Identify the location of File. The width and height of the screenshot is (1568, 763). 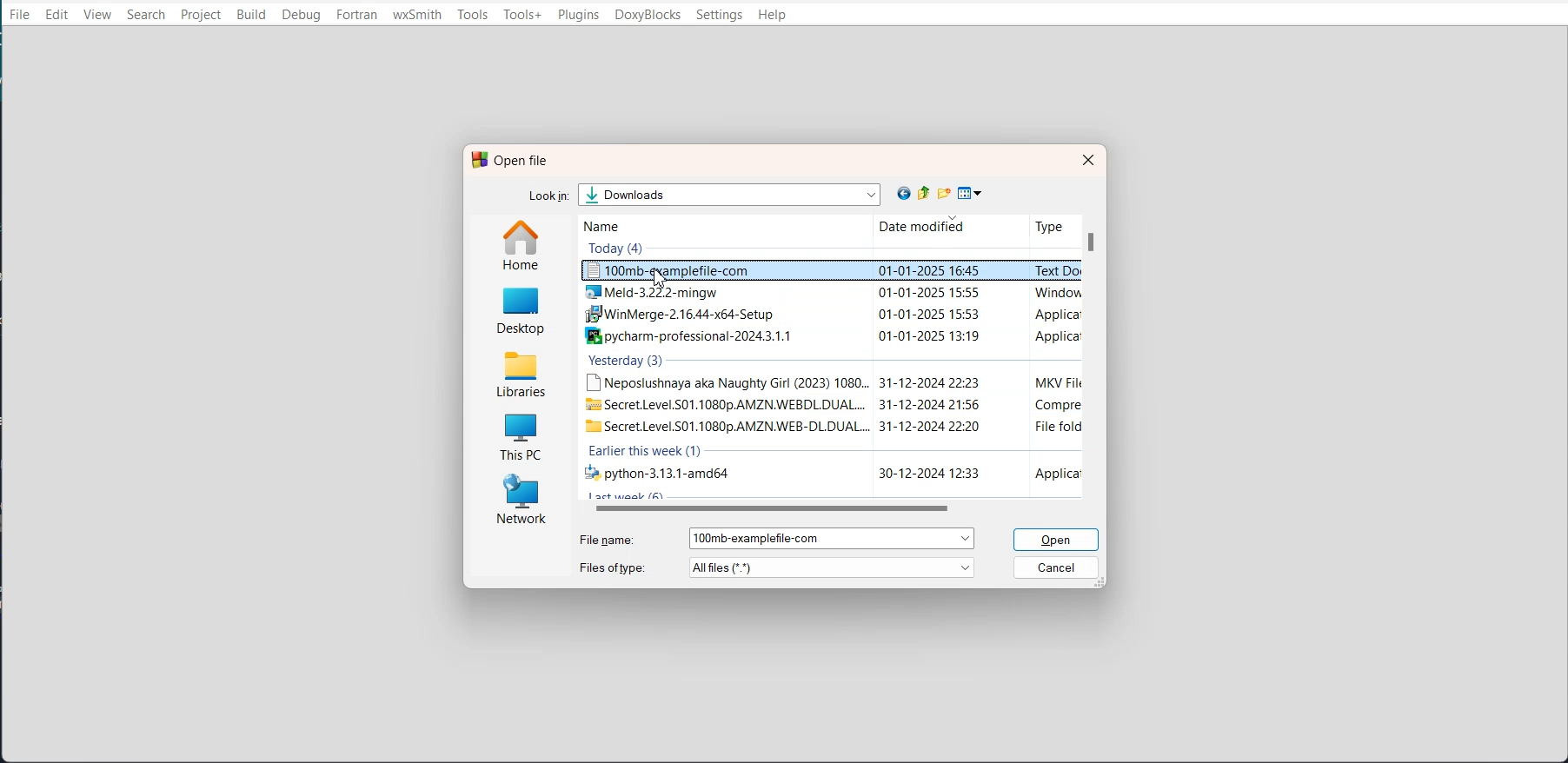
(19, 14).